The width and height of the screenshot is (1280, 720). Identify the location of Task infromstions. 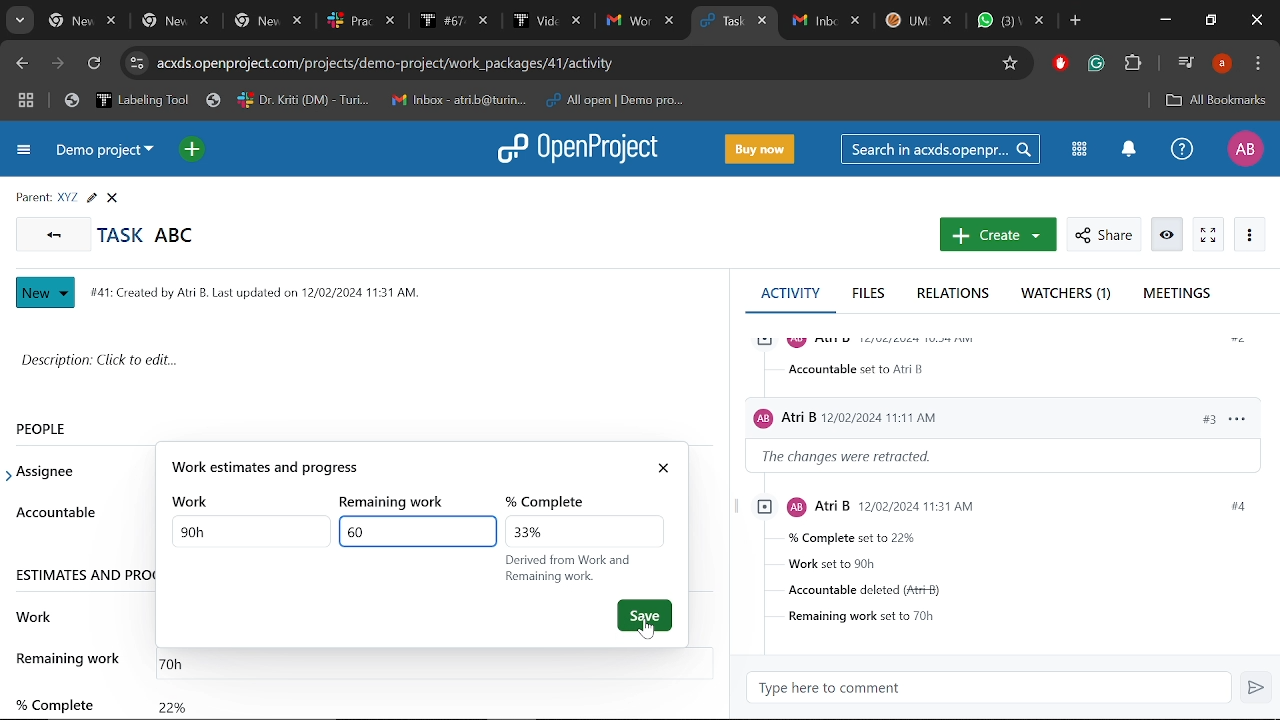
(1005, 561).